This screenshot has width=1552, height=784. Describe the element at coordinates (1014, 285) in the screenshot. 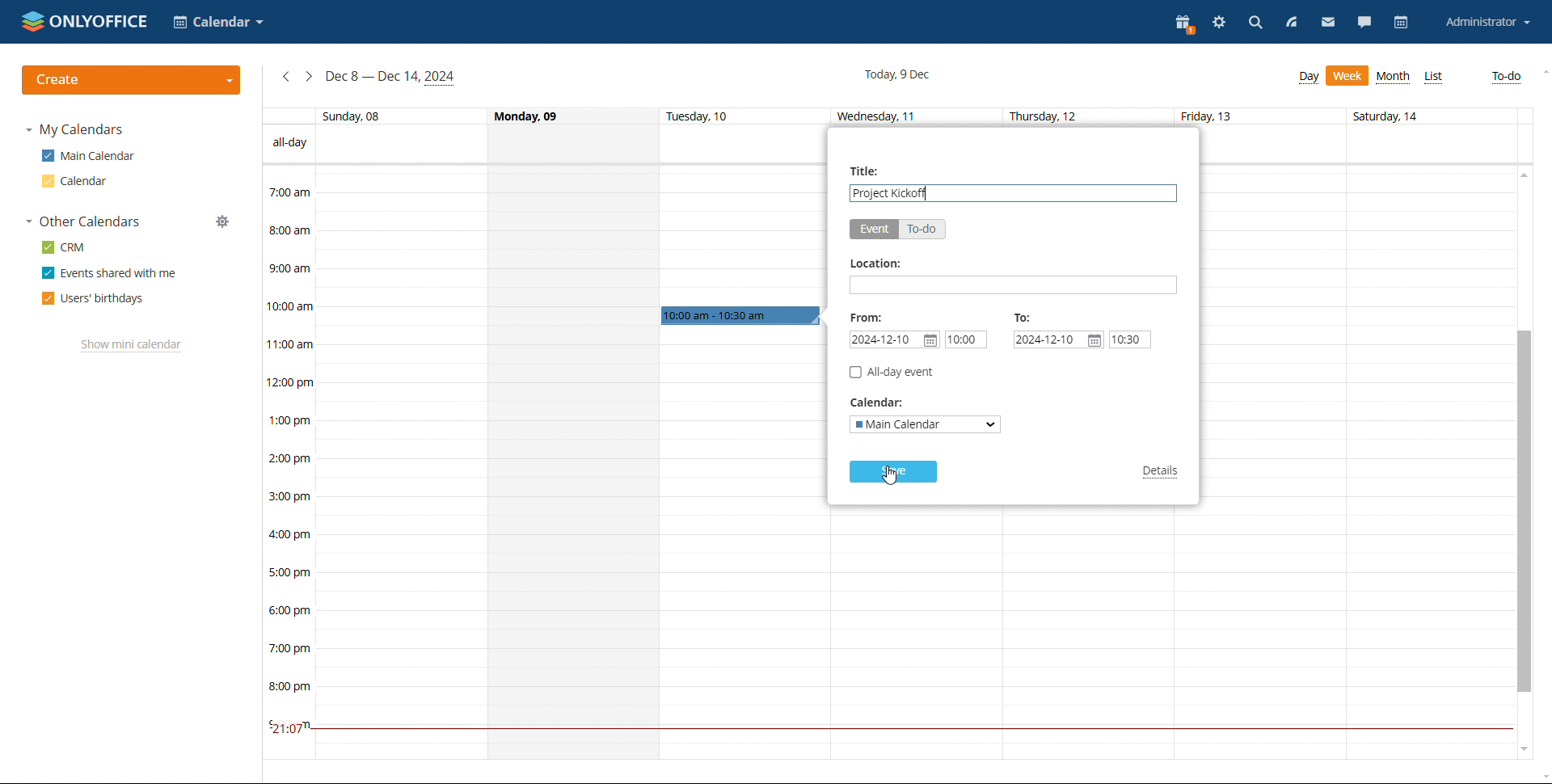

I see `location` at that location.